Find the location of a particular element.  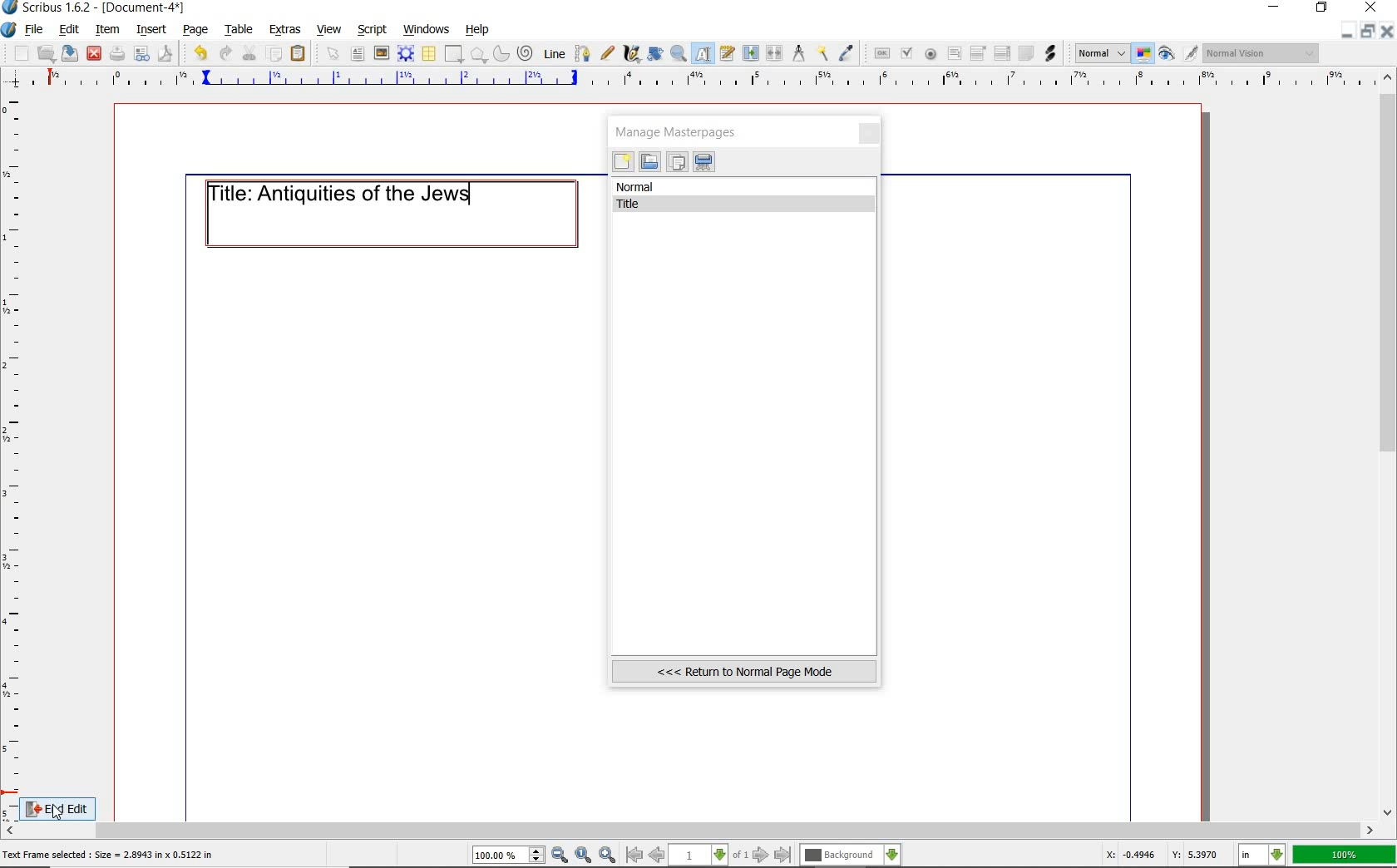

Normal Vision is located at coordinates (1262, 55).